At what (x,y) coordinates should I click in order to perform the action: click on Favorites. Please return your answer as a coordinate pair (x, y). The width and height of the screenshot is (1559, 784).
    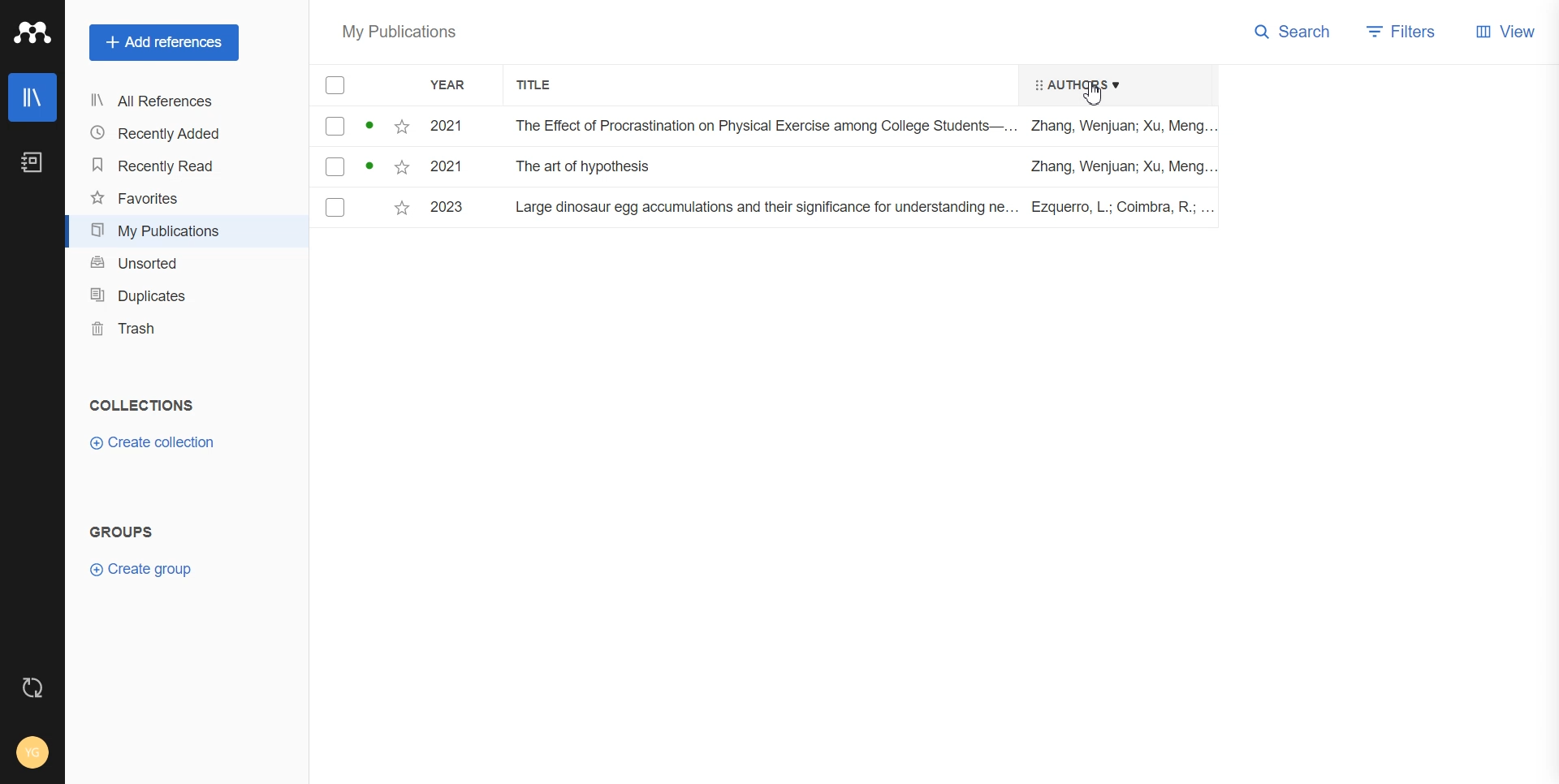
    Looking at the image, I should click on (180, 199).